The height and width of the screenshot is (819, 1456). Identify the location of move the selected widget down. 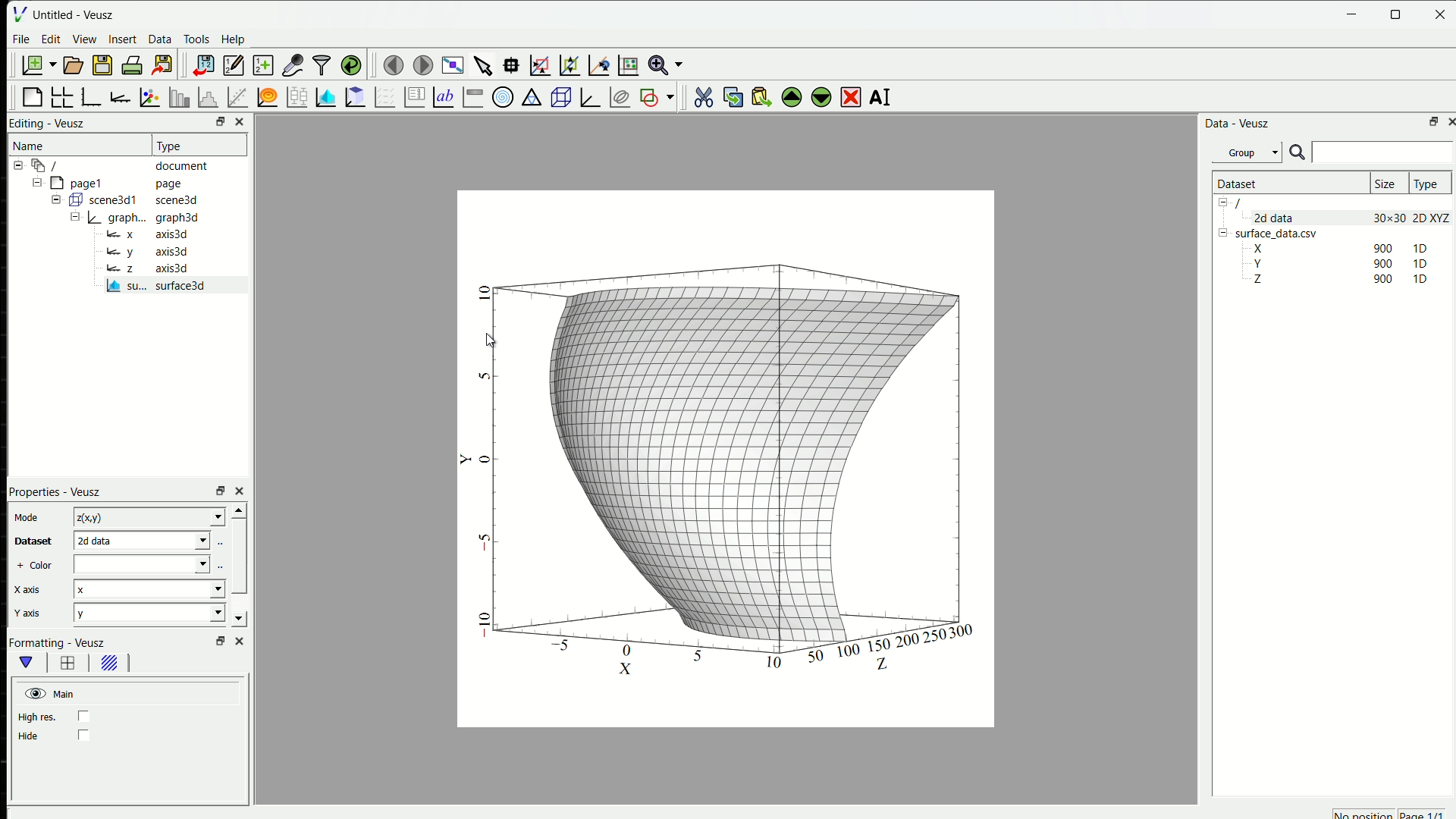
(821, 96).